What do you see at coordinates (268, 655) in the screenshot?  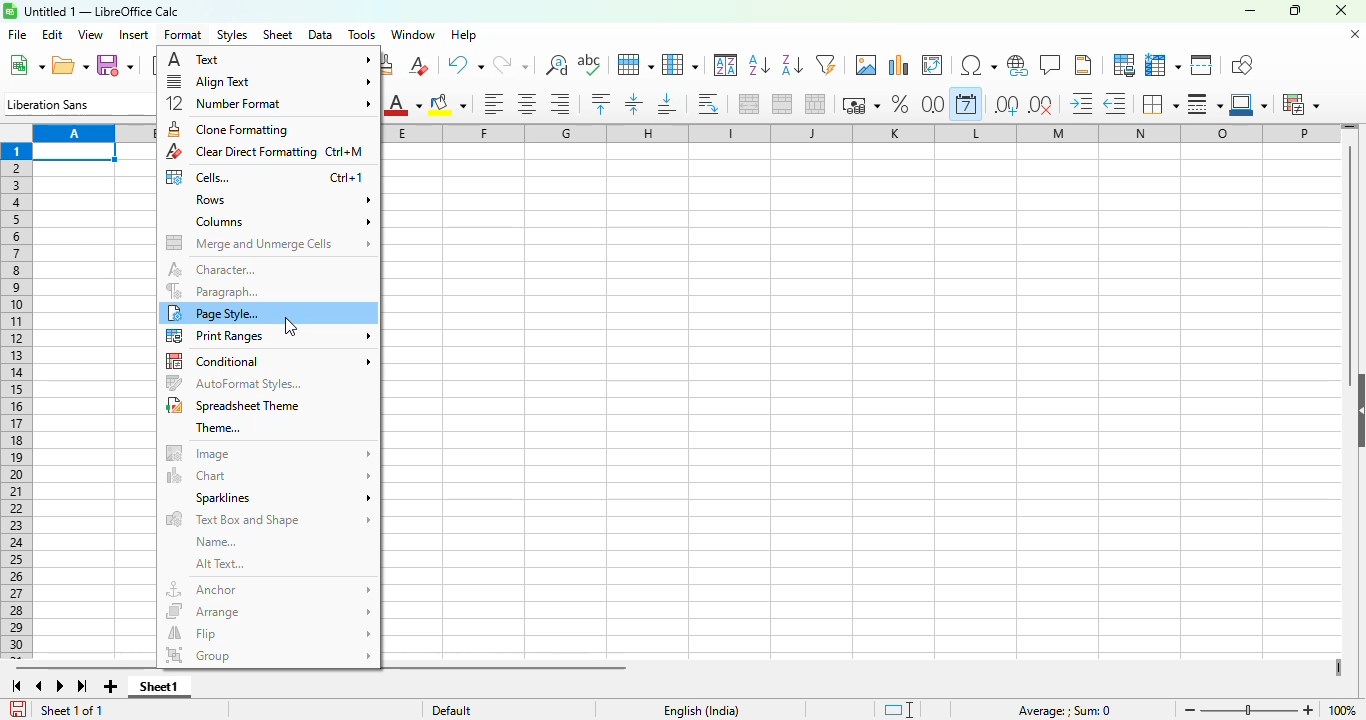 I see `group` at bounding box center [268, 655].